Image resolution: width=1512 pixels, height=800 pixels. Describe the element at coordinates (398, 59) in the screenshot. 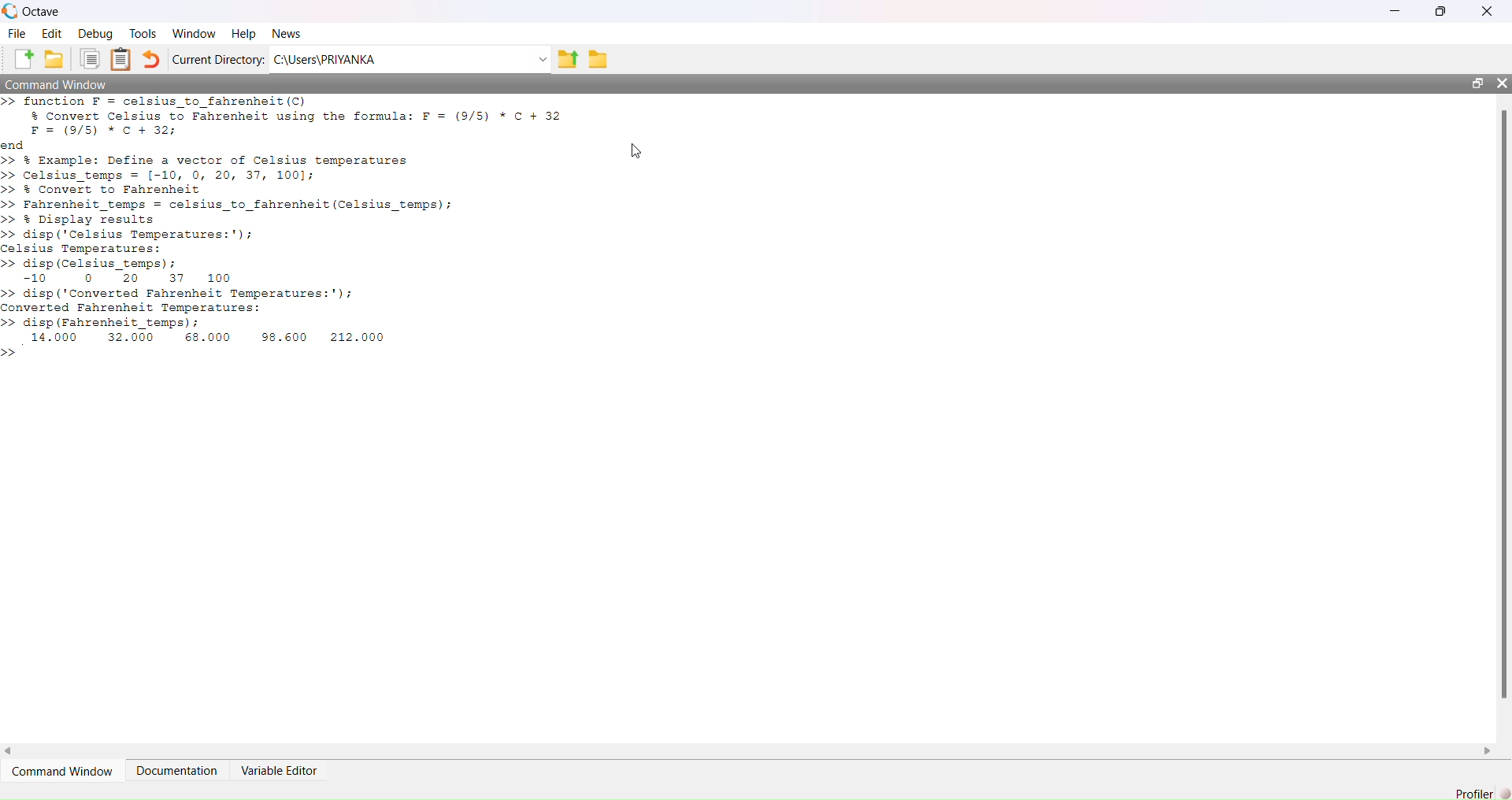

I see `C:\Users\PRIYANKA` at that location.